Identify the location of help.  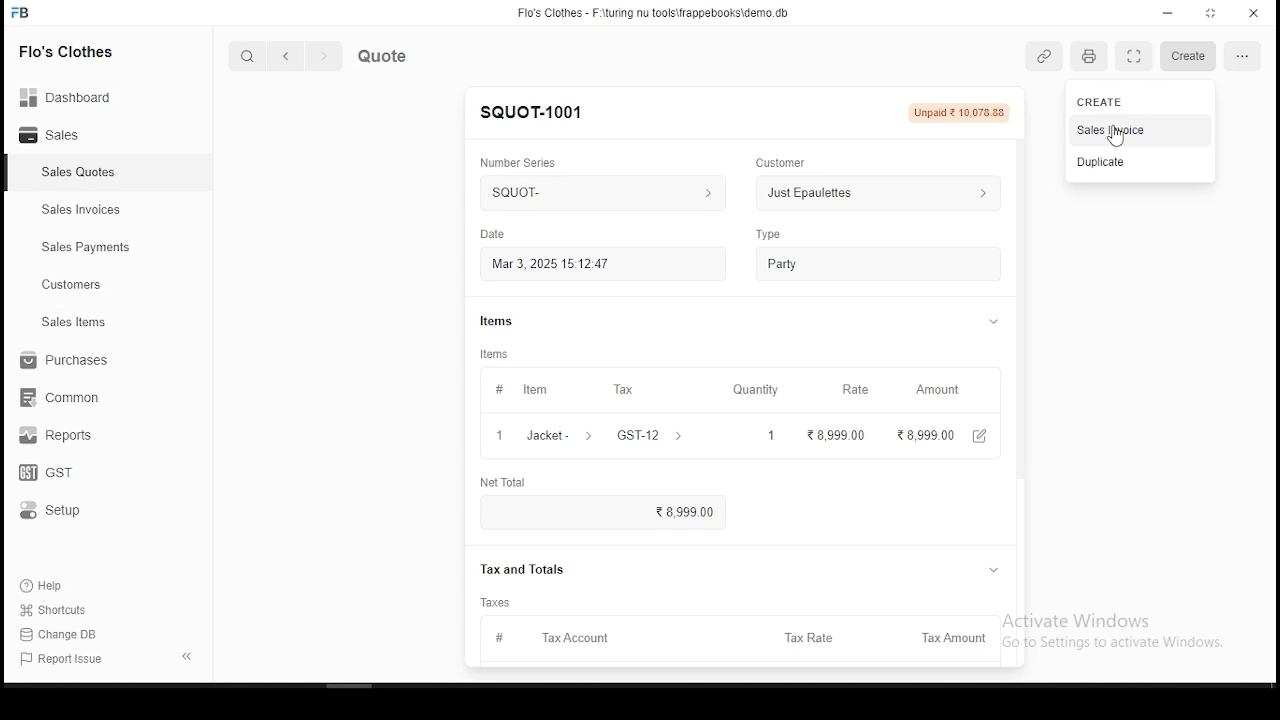
(48, 585).